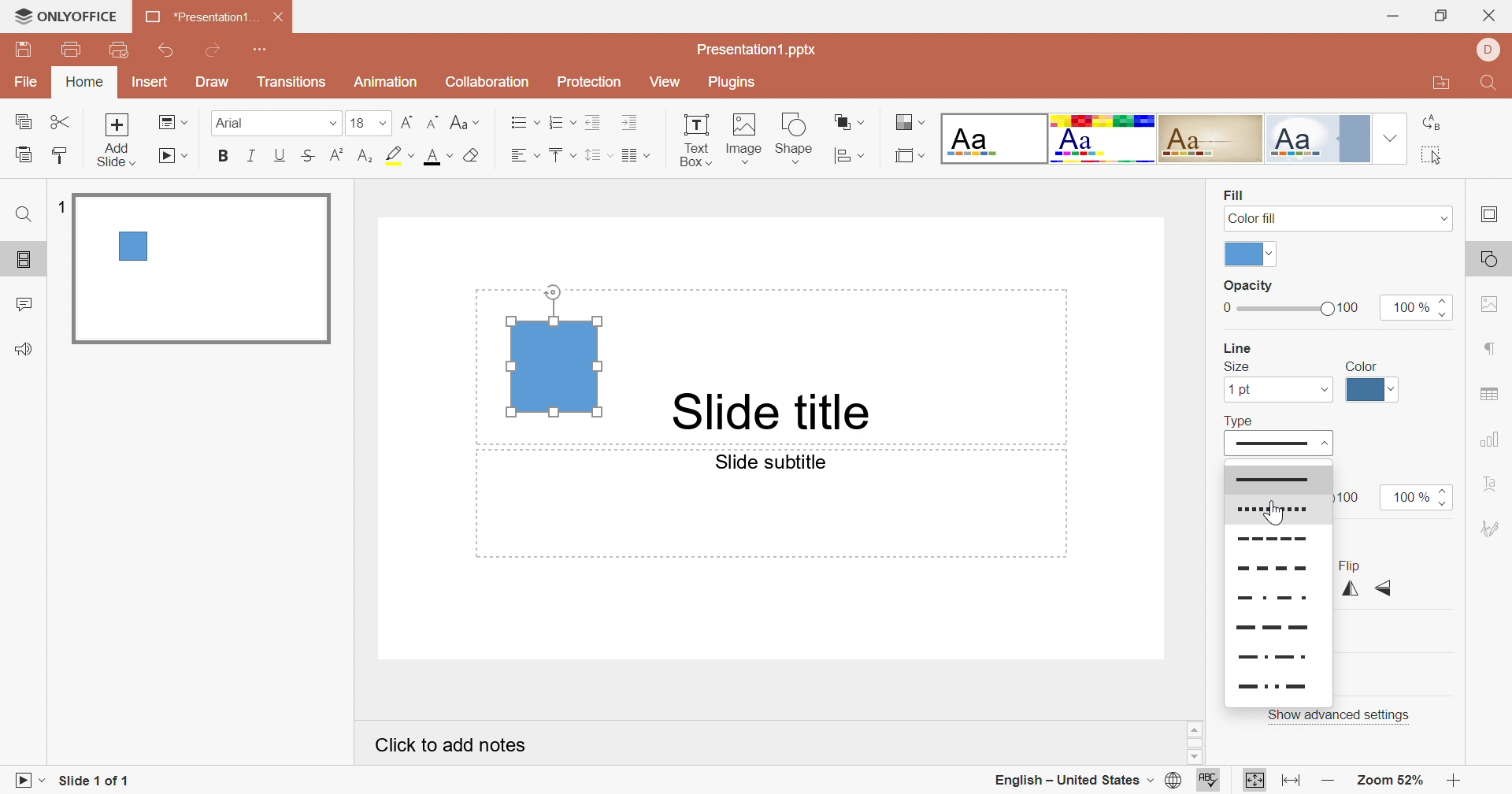 Image resolution: width=1512 pixels, height=794 pixels. I want to click on DELL, so click(1485, 50).